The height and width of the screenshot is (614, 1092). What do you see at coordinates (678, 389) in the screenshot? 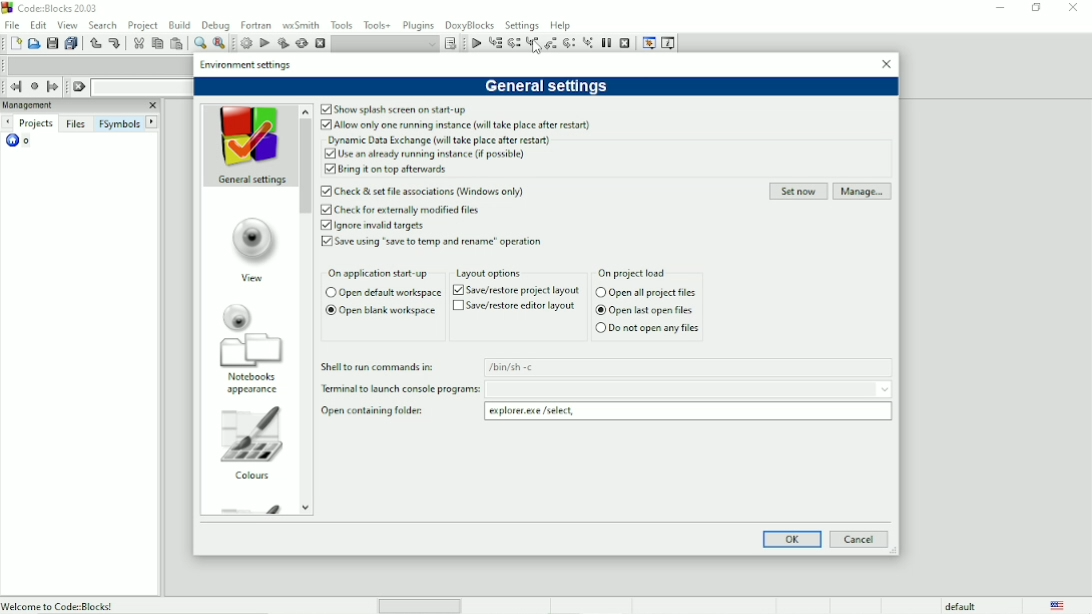
I see `terminal` at bounding box center [678, 389].